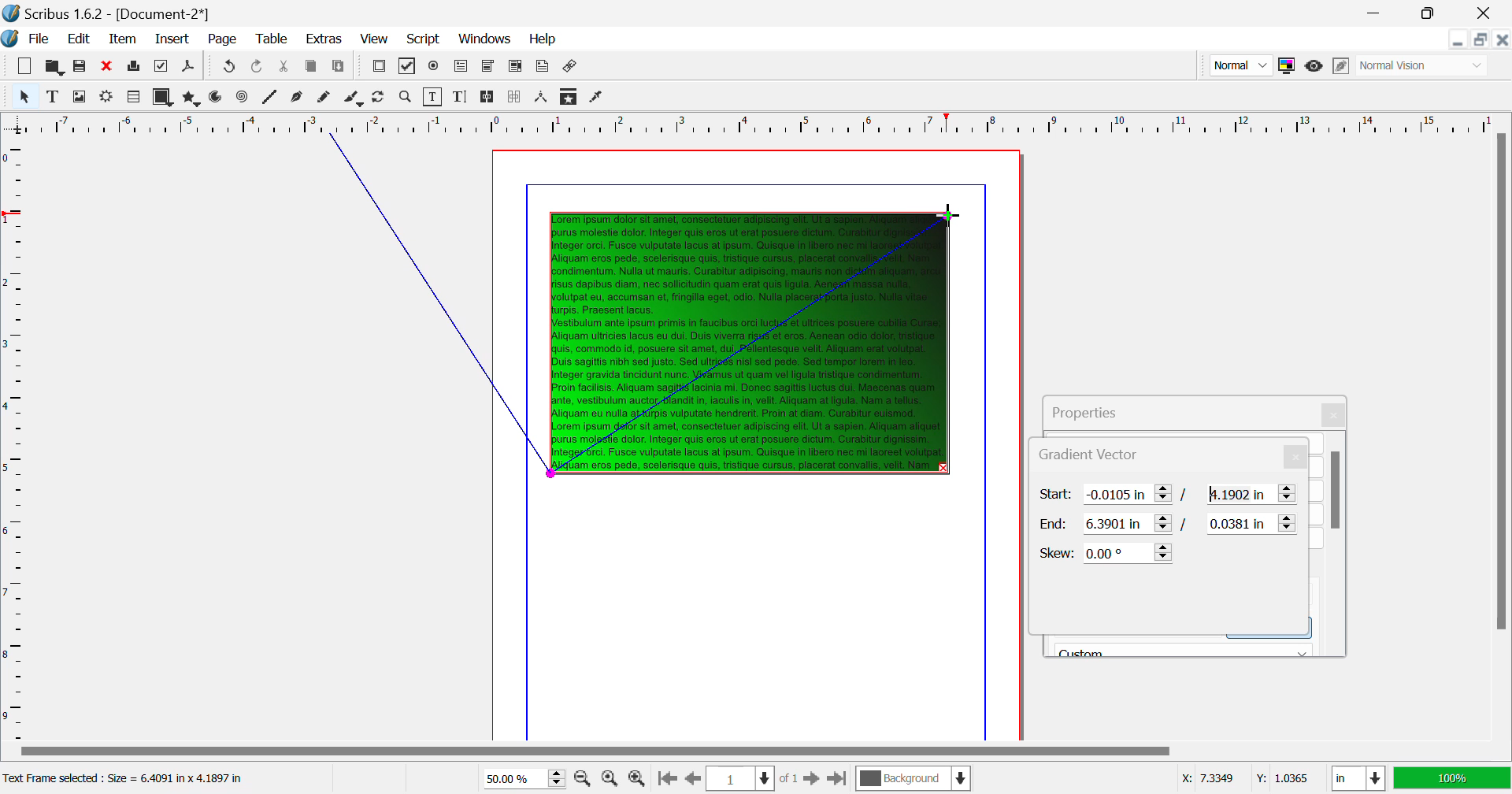 The width and height of the screenshot is (1512, 794). I want to click on Scribus 1.62 - [Document-2*], so click(108, 13).